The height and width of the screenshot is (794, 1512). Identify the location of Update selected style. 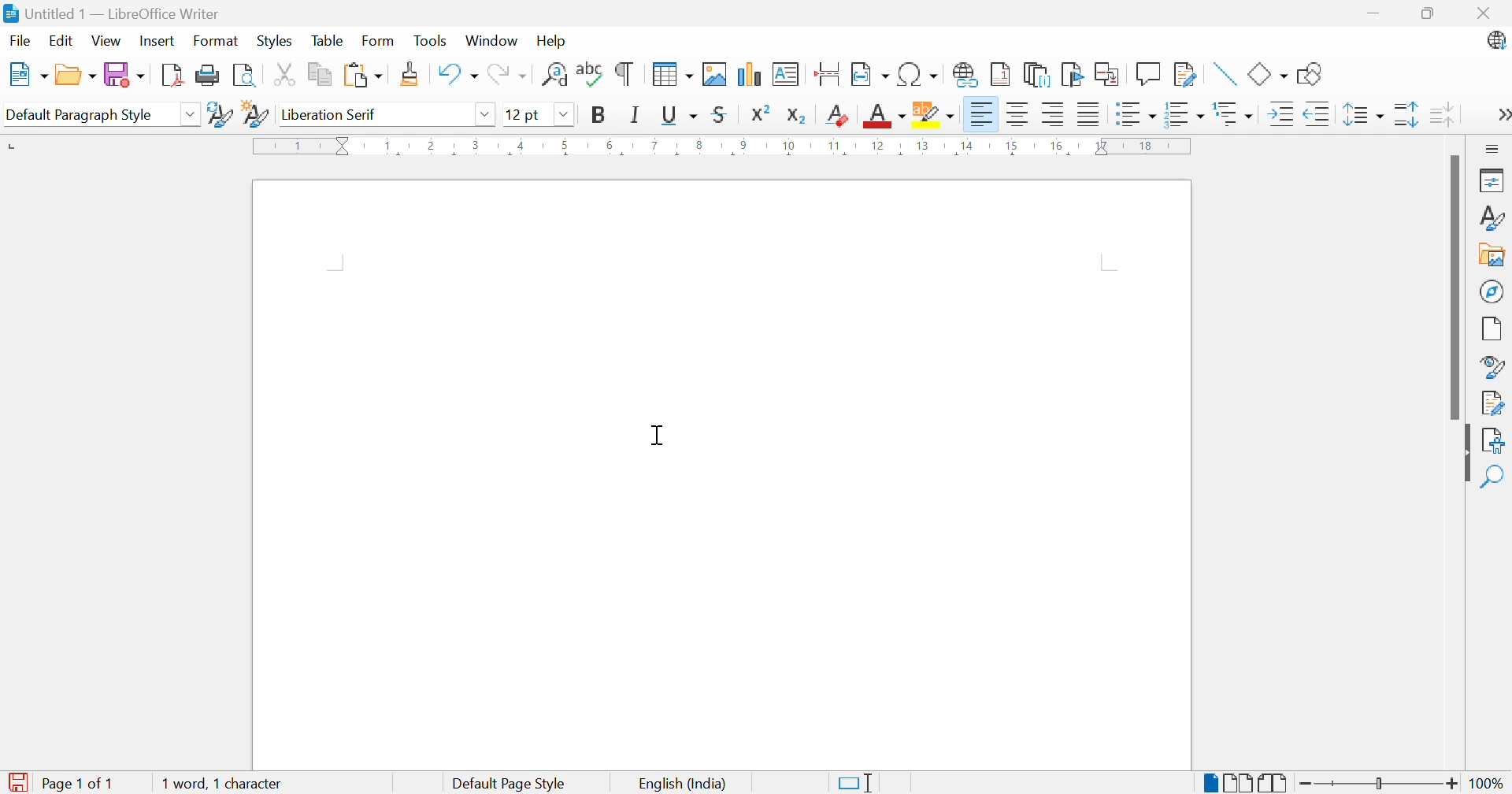
(222, 114).